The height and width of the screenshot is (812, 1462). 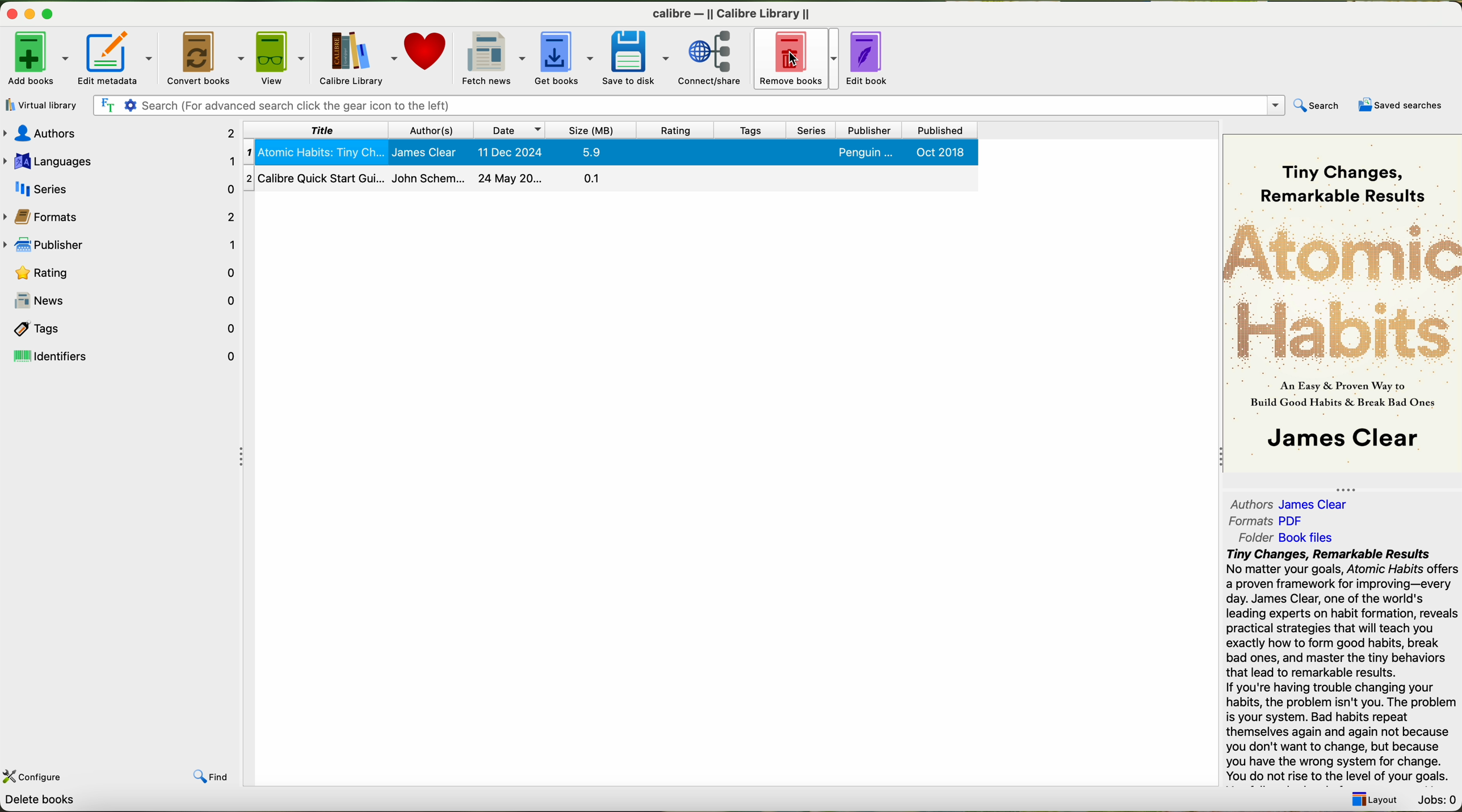 I want to click on add books, so click(x=35, y=59).